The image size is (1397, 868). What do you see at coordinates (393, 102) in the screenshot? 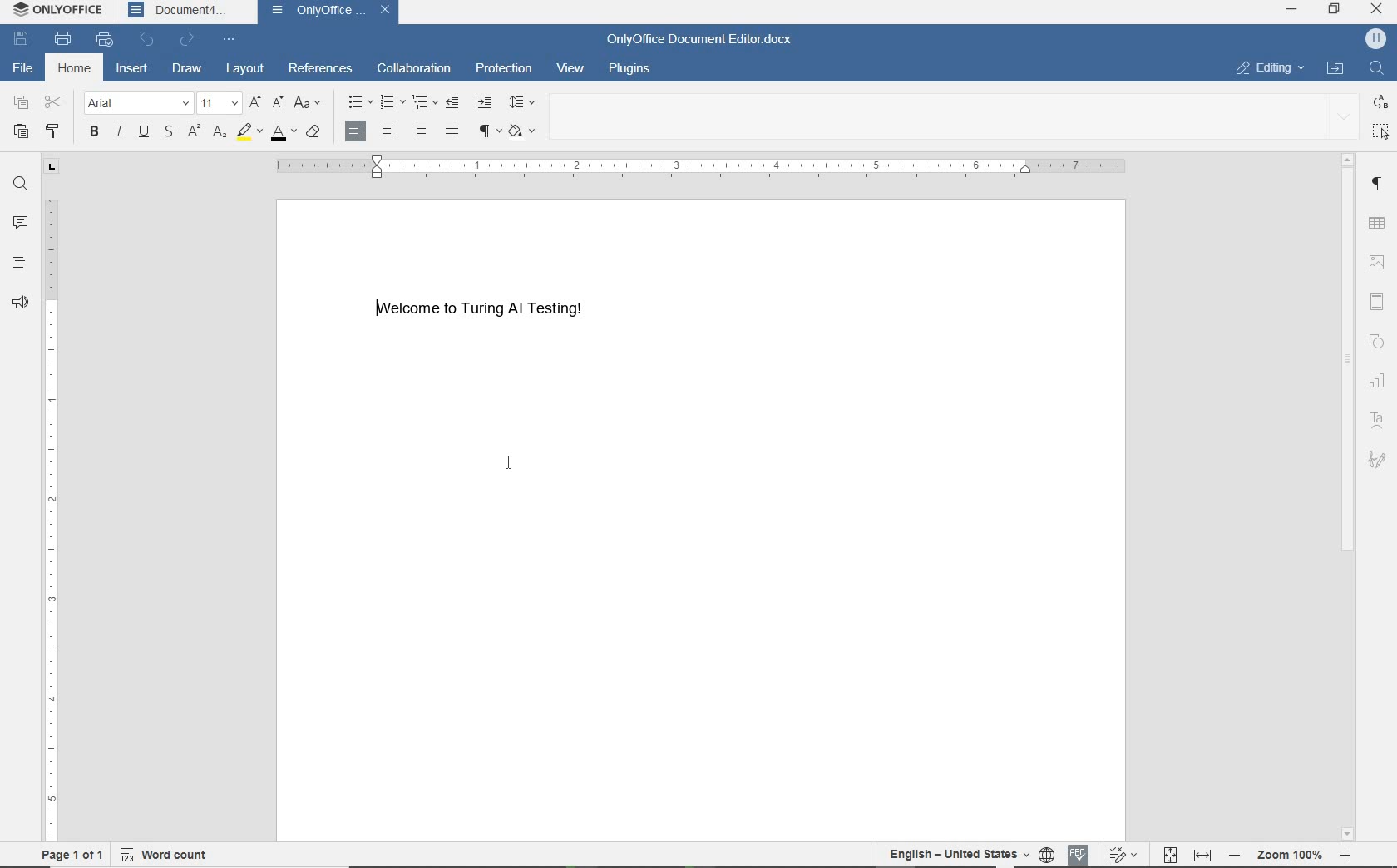
I see `numbering` at bounding box center [393, 102].